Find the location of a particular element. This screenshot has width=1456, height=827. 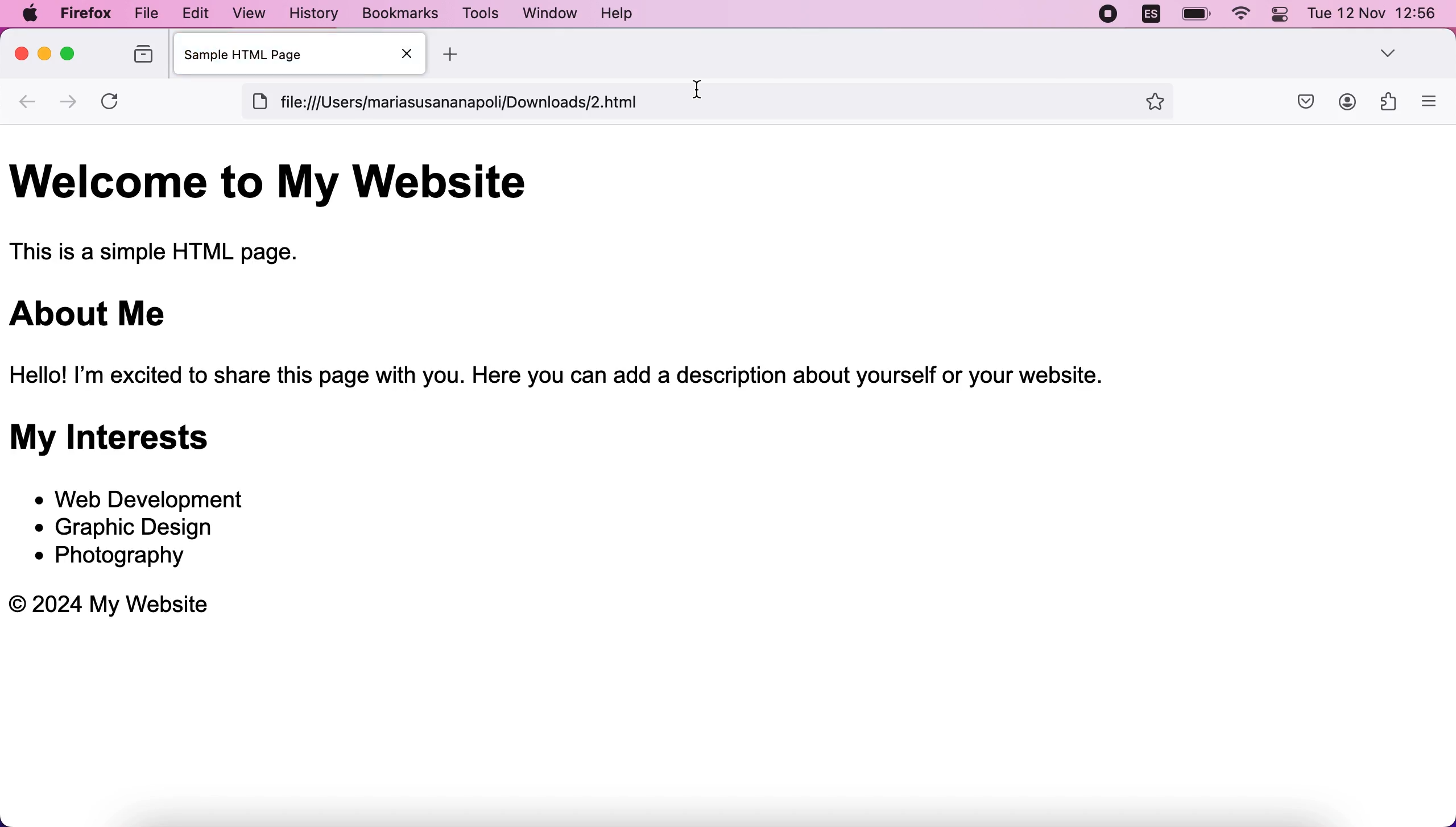

extensions is located at coordinates (1389, 104).